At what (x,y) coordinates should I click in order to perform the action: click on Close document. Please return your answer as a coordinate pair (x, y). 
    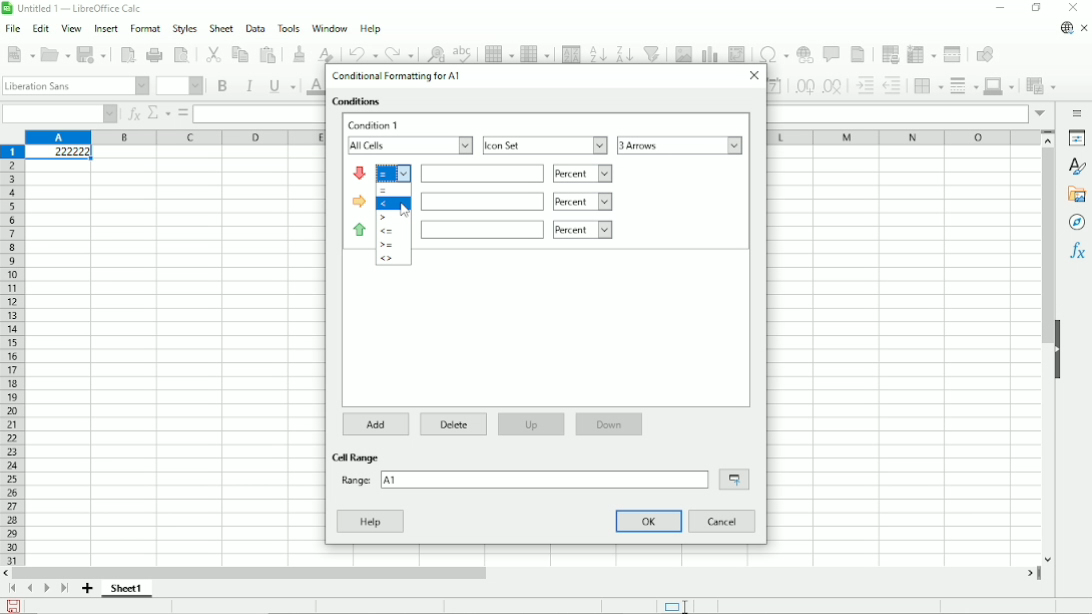
    Looking at the image, I should click on (1085, 29).